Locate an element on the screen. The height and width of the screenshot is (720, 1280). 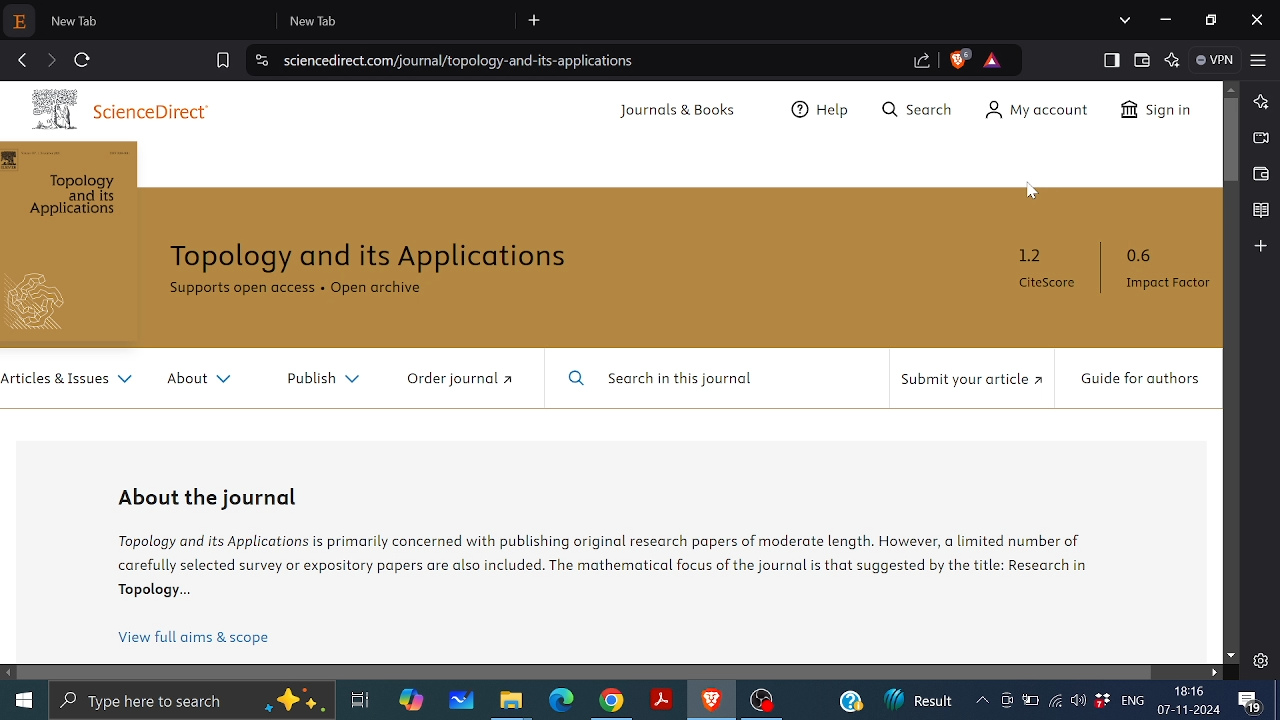
Brave browser is located at coordinates (710, 701).